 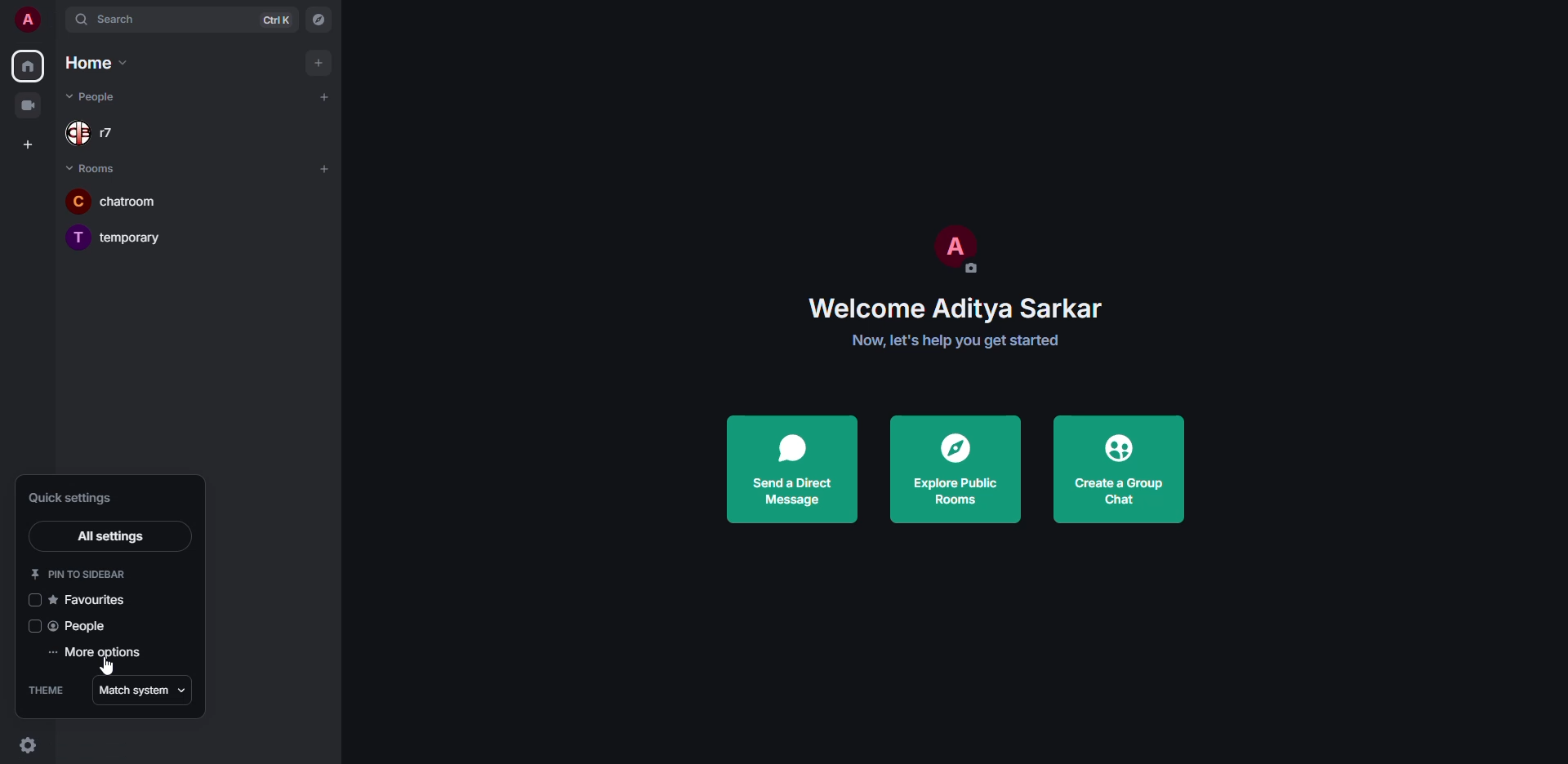 I want to click on r7, so click(x=101, y=134).